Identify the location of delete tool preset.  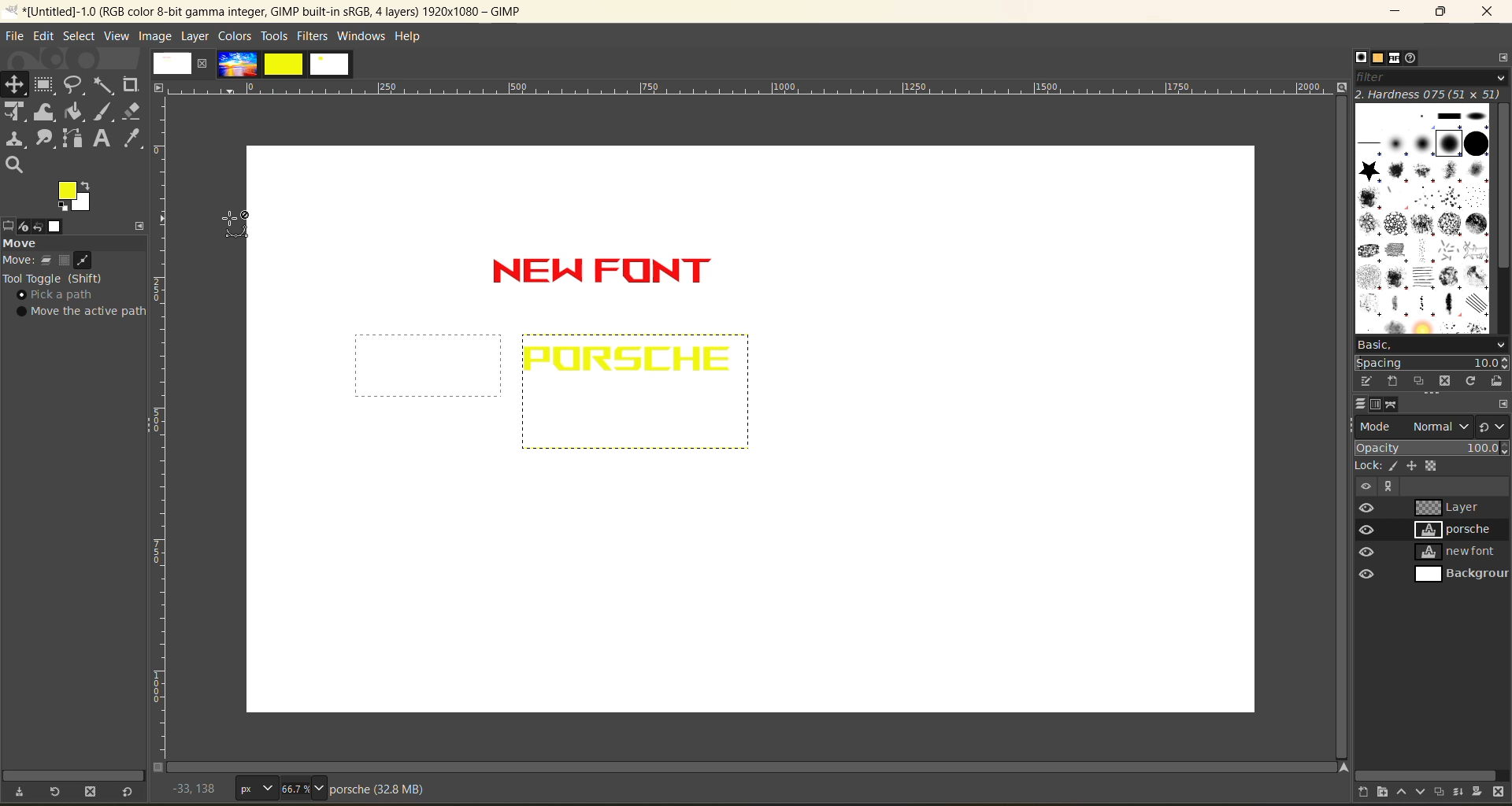
(91, 793).